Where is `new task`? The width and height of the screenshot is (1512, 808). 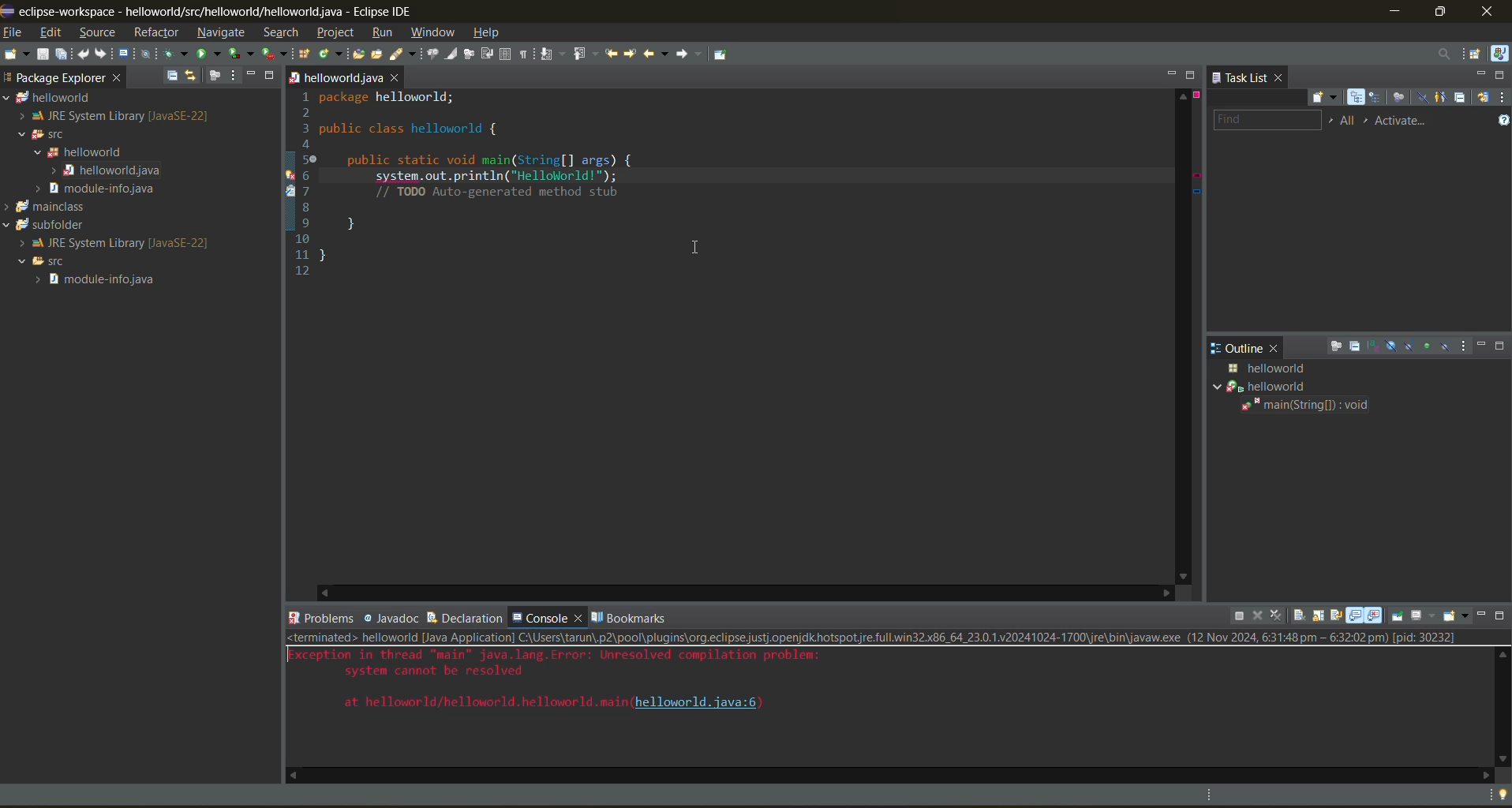
new task is located at coordinates (1327, 96).